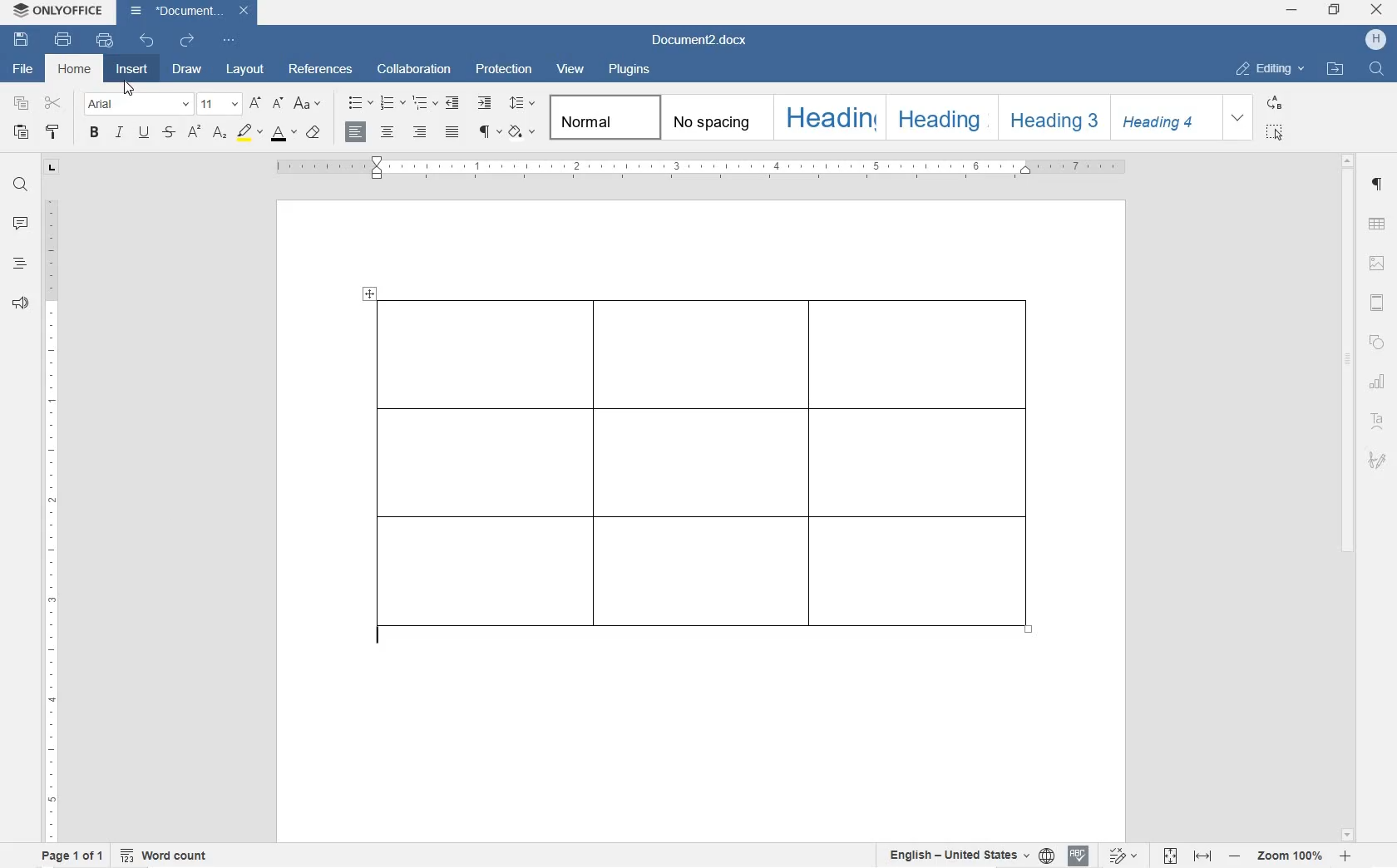 This screenshot has width=1397, height=868. What do you see at coordinates (603, 116) in the screenshot?
I see `normal` at bounding box center [603, 116].